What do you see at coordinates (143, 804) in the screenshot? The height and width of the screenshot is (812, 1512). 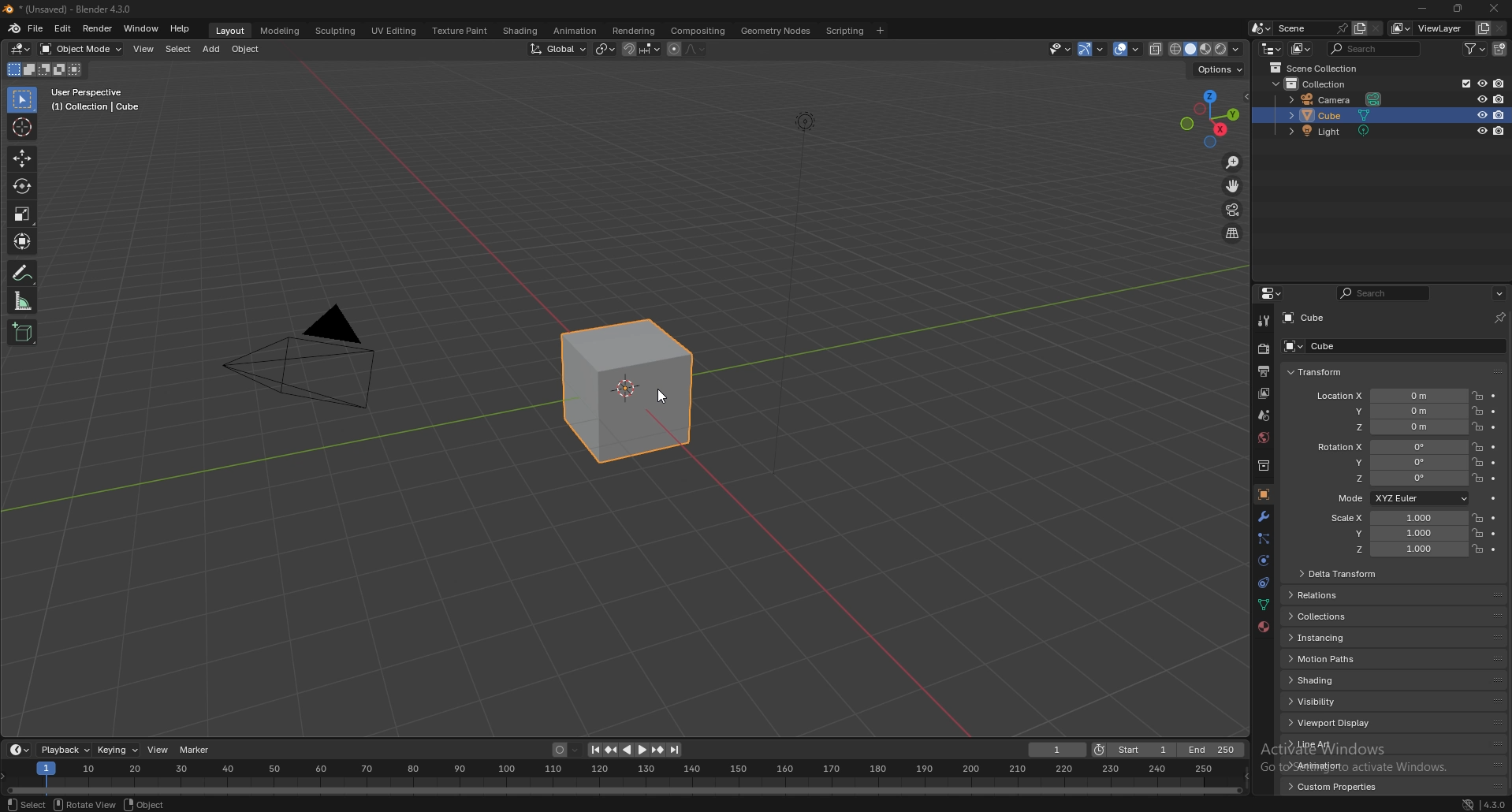 I see `object` at bounding box center [143, 804].